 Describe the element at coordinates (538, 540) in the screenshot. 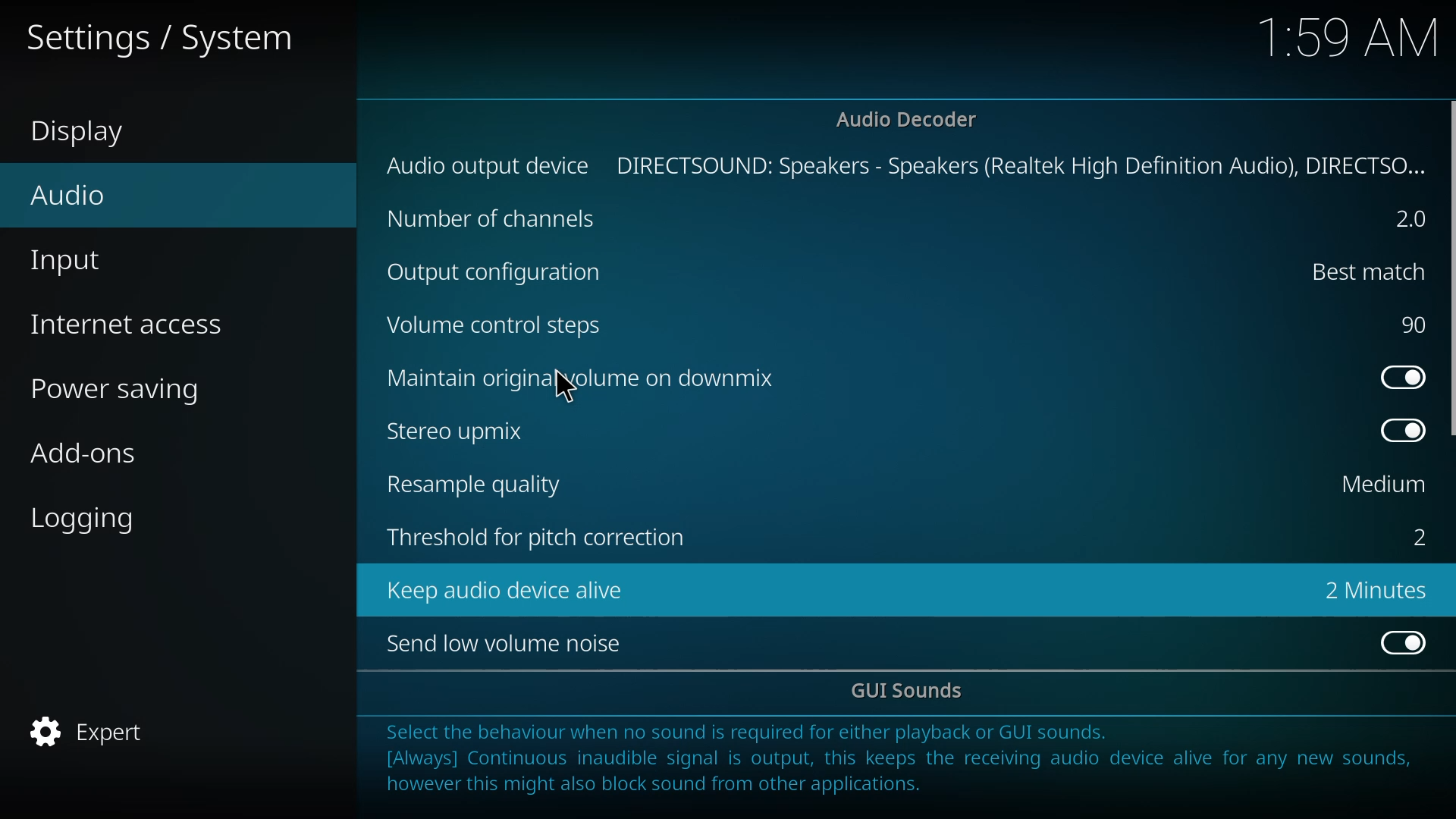

I see `threshold for pitch correction` at that location.